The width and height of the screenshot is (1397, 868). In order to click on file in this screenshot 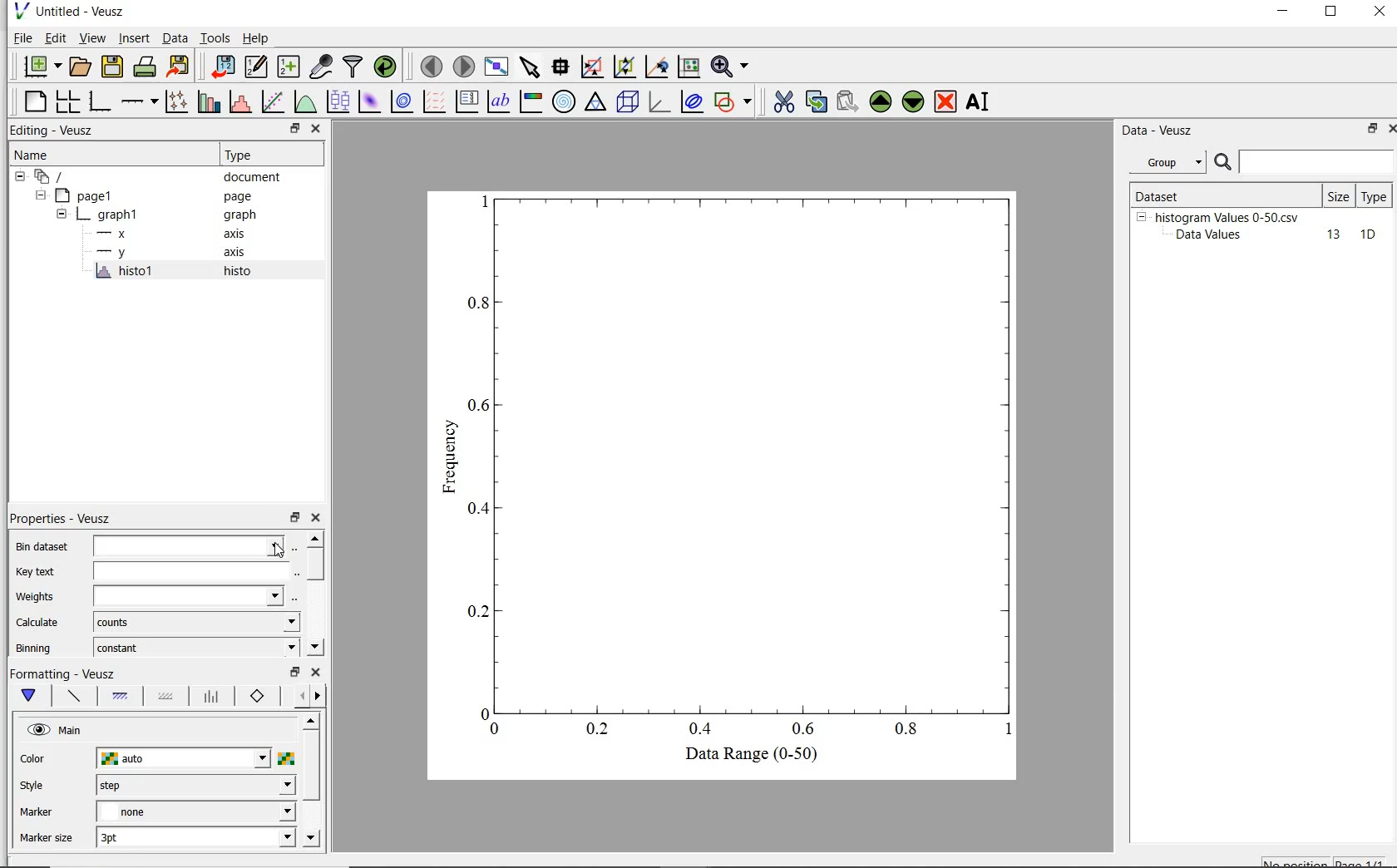, I will do `click(22, 37)`.